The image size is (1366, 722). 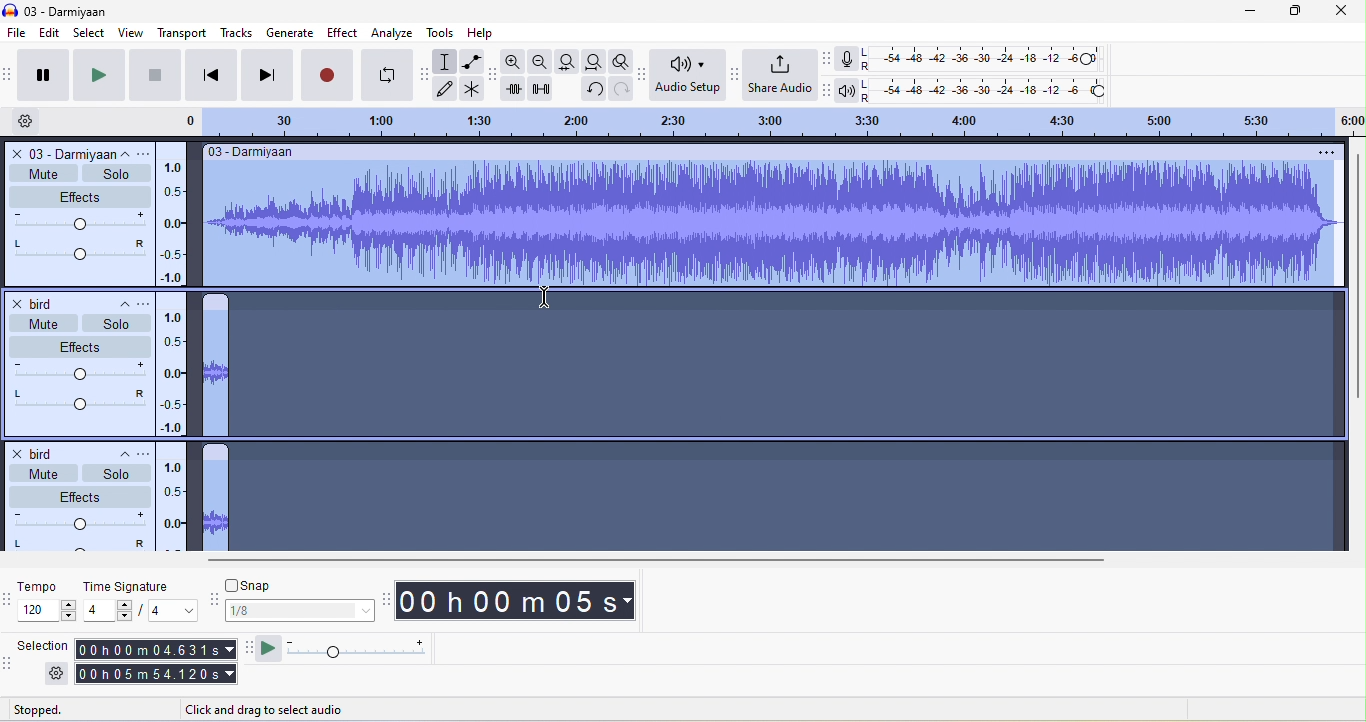 What do you see at coordinates (624, 59) in the screenshot?
I see `zoom toggle` at bounding box center [624, 59].